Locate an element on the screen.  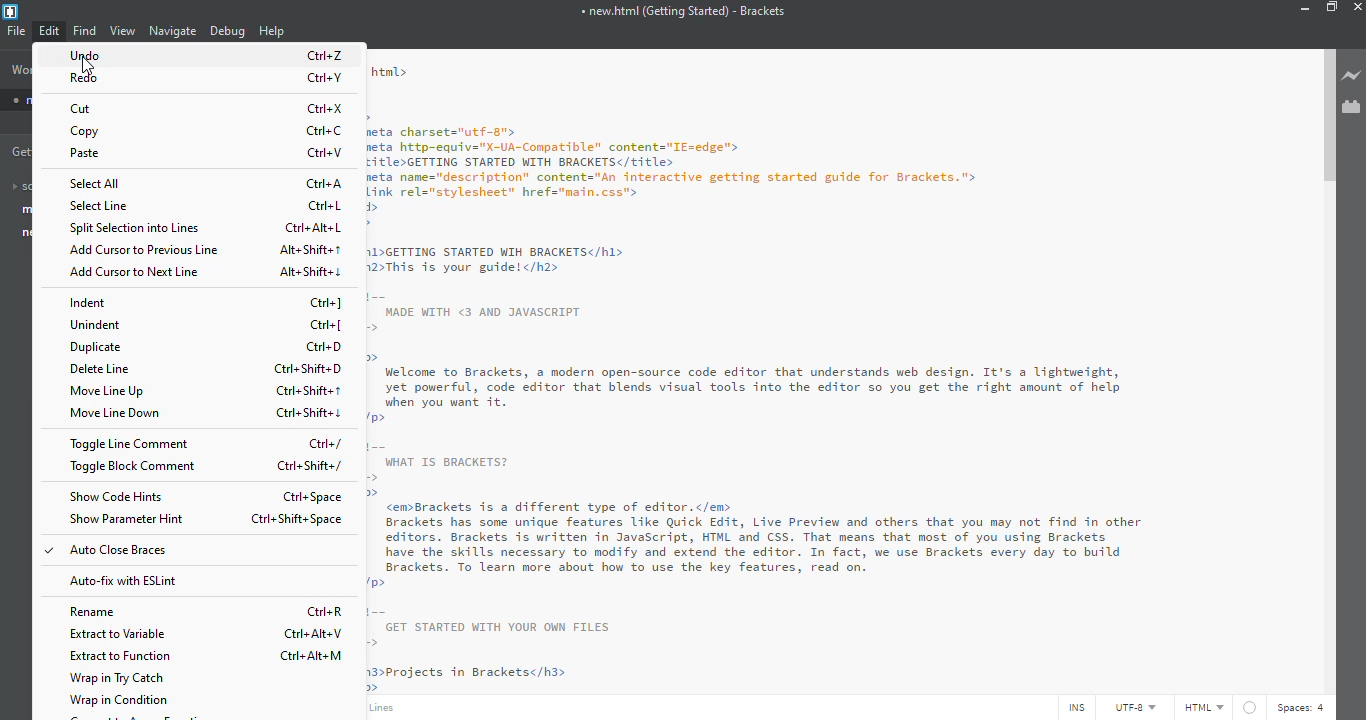
ctrl+shift+d is located at coordinates (309, 369).